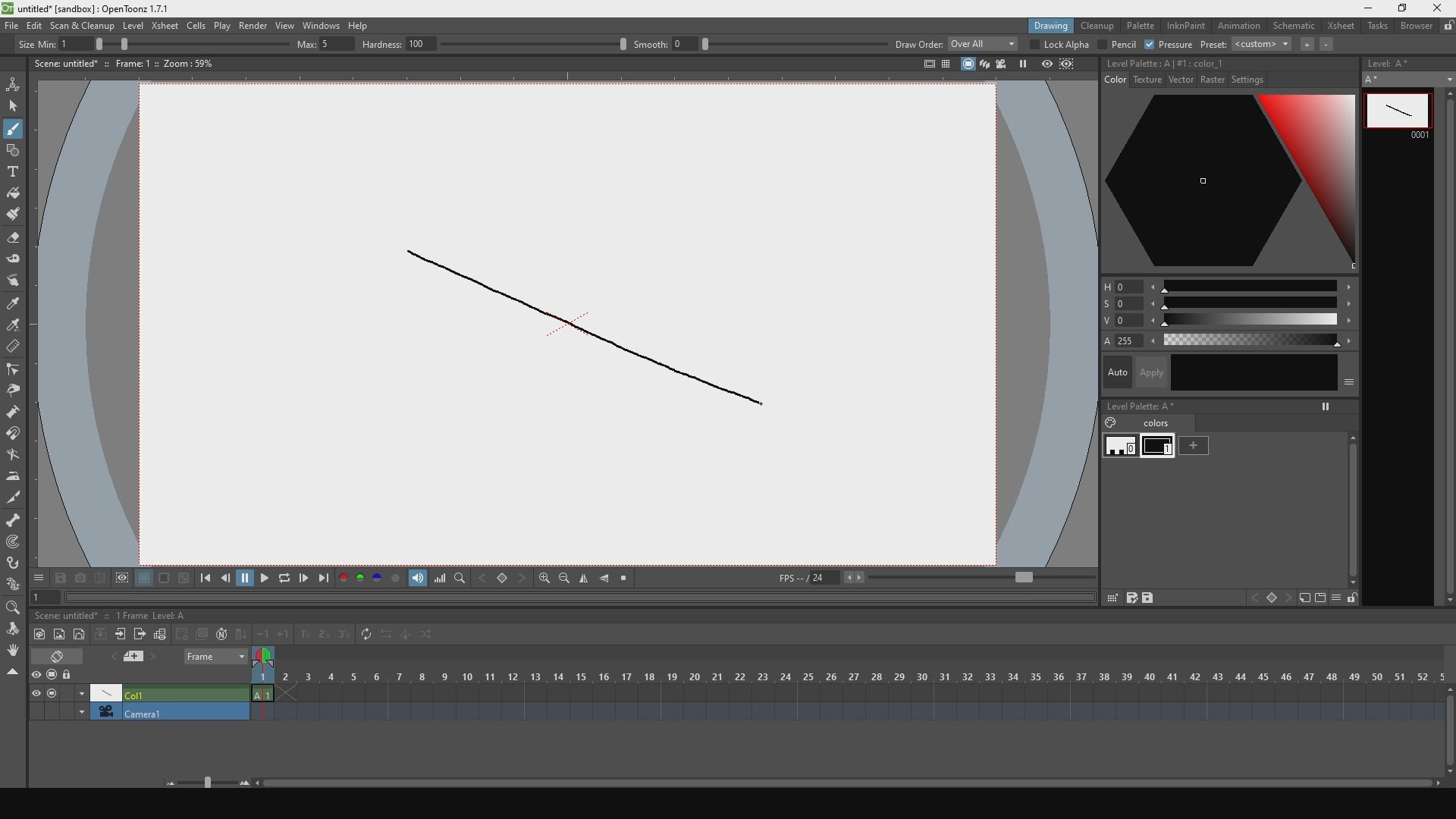 This screenshot has height=819, width=1456. I want to click on capture, so click(79, 579).